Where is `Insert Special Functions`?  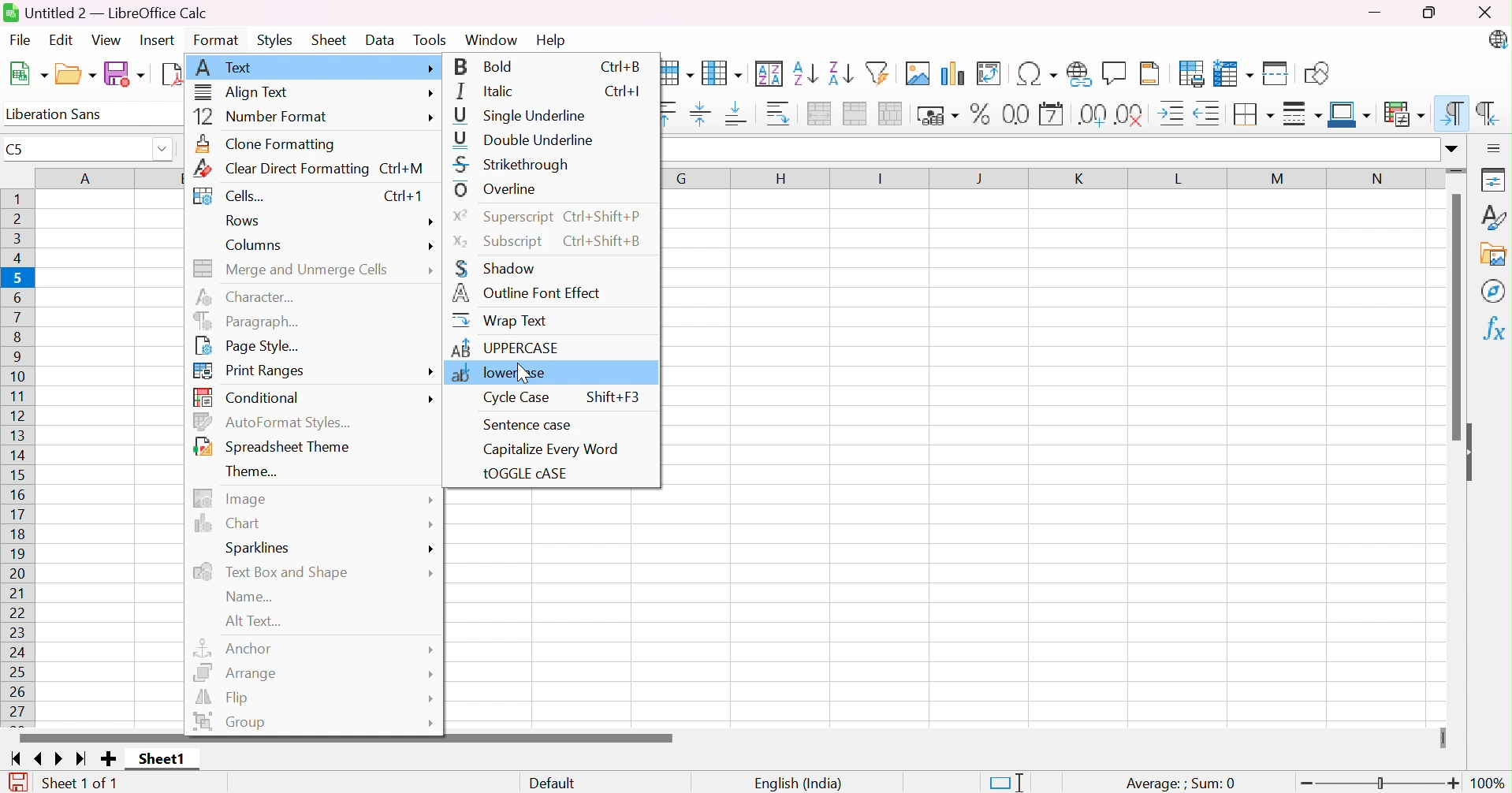 Insert Special Functions is located at coordinates (1040, 73).